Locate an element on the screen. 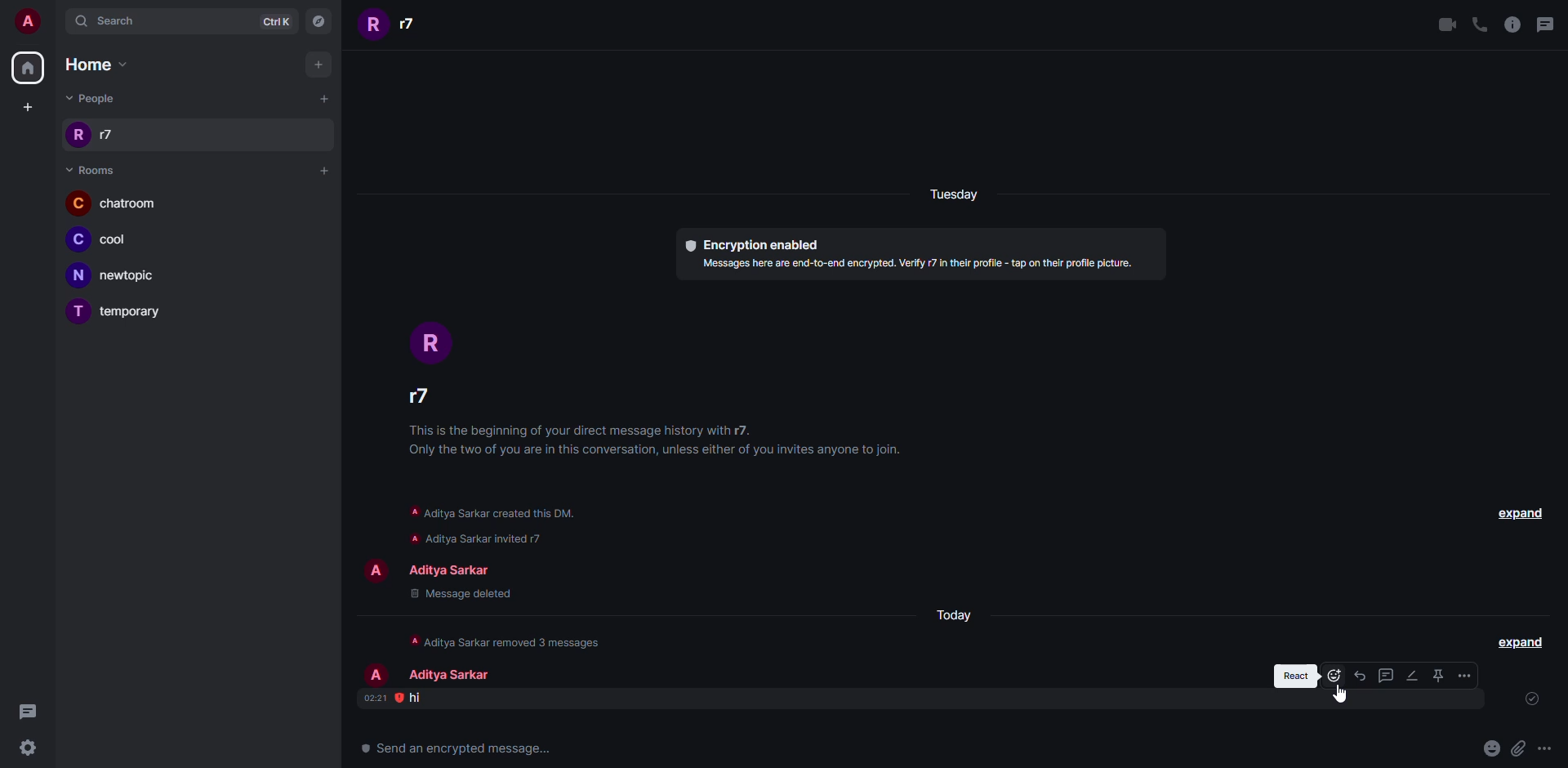 The width and height of the screenshot is (1568, 768). thread is located at coordinates (1384, 675).